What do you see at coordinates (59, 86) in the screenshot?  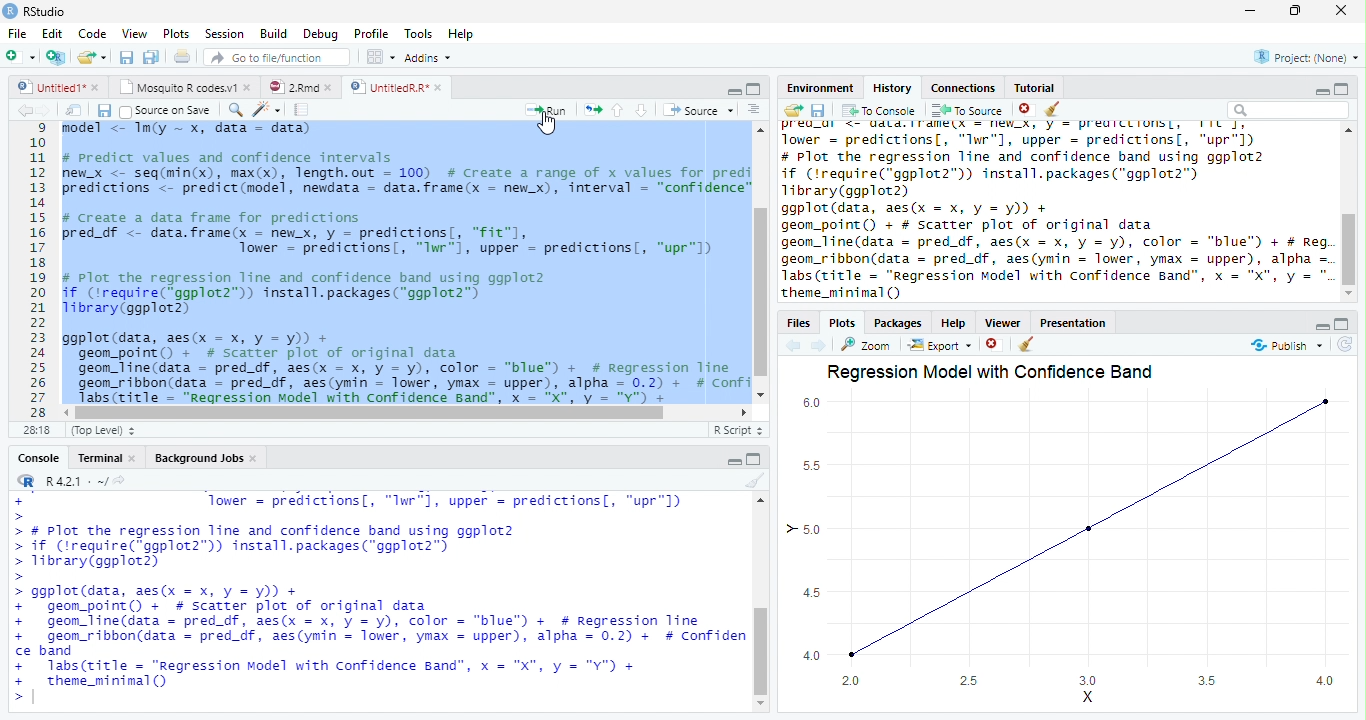 I see `Untitled` at bounding box center [59, 86].